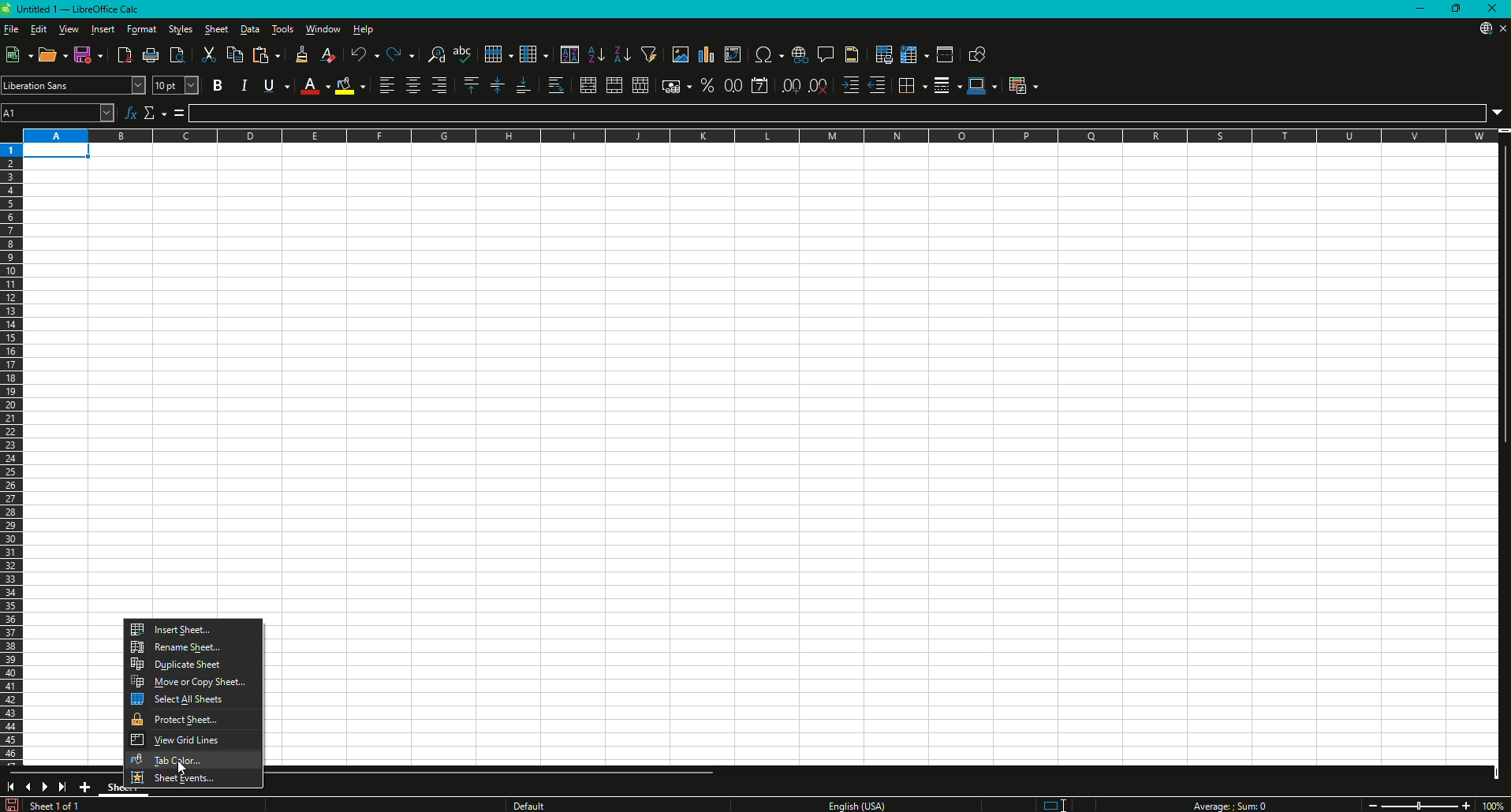 This screenshot has width=1511, height=812. I want to click on Underline, so click(277, 85).